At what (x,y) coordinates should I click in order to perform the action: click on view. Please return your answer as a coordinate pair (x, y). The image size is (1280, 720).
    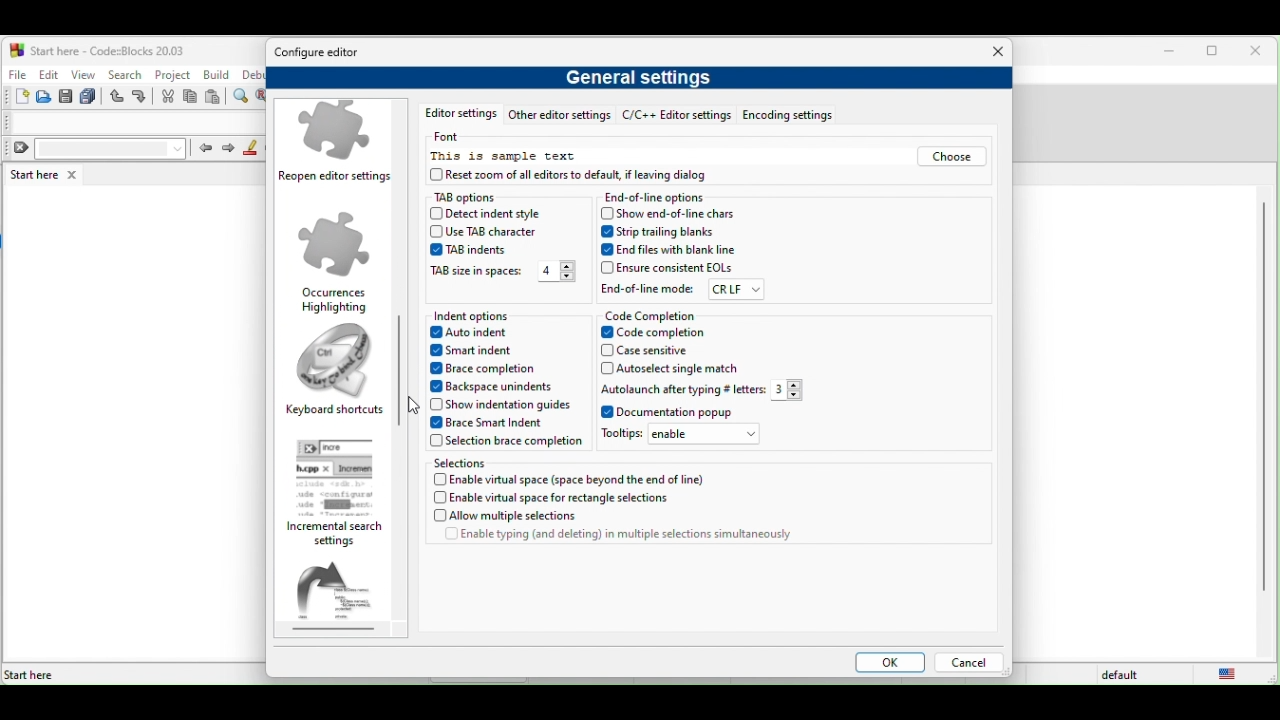
    Looking at the image, I should click on (84, 74).